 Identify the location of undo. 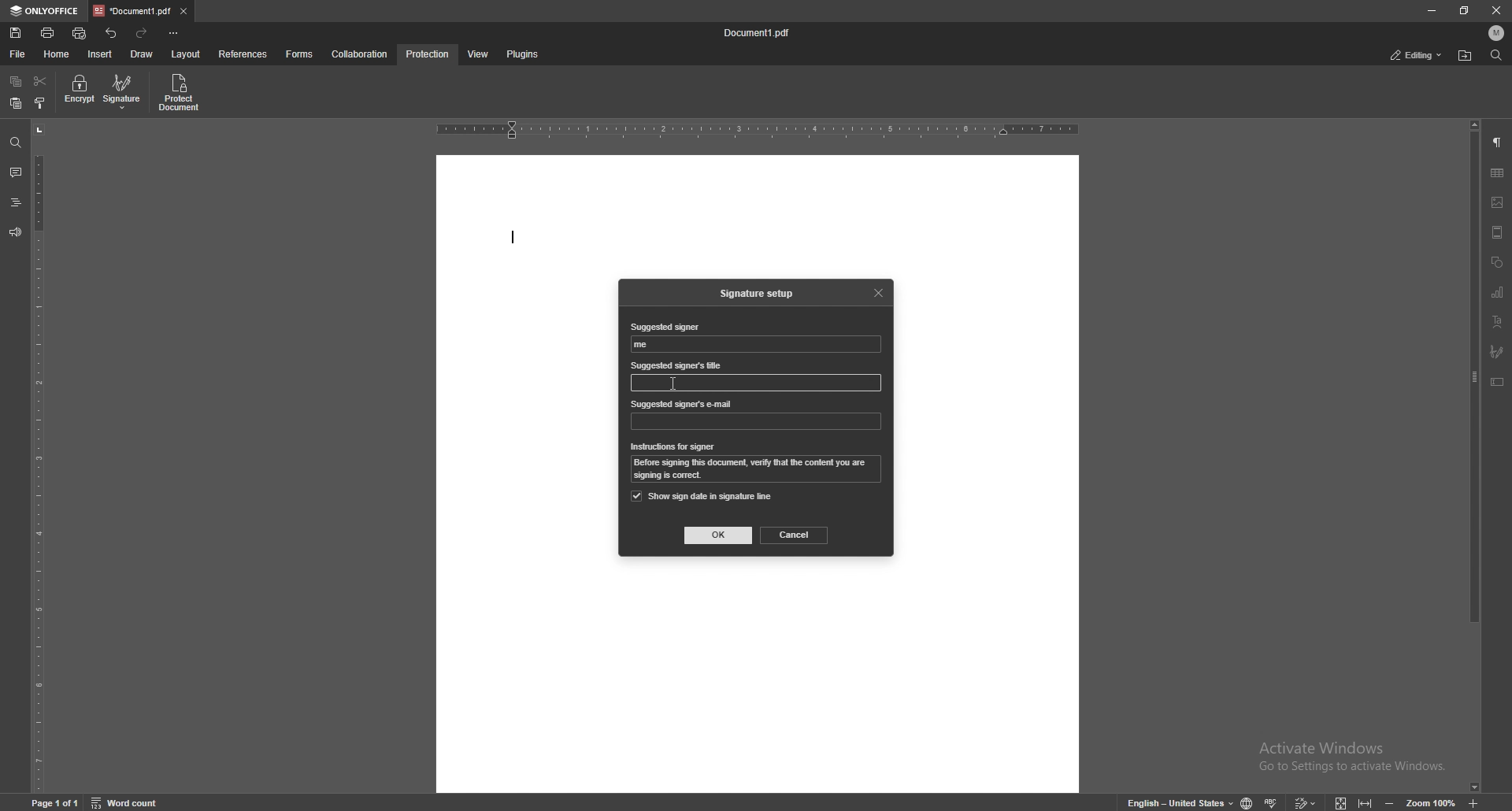
(113, 33).